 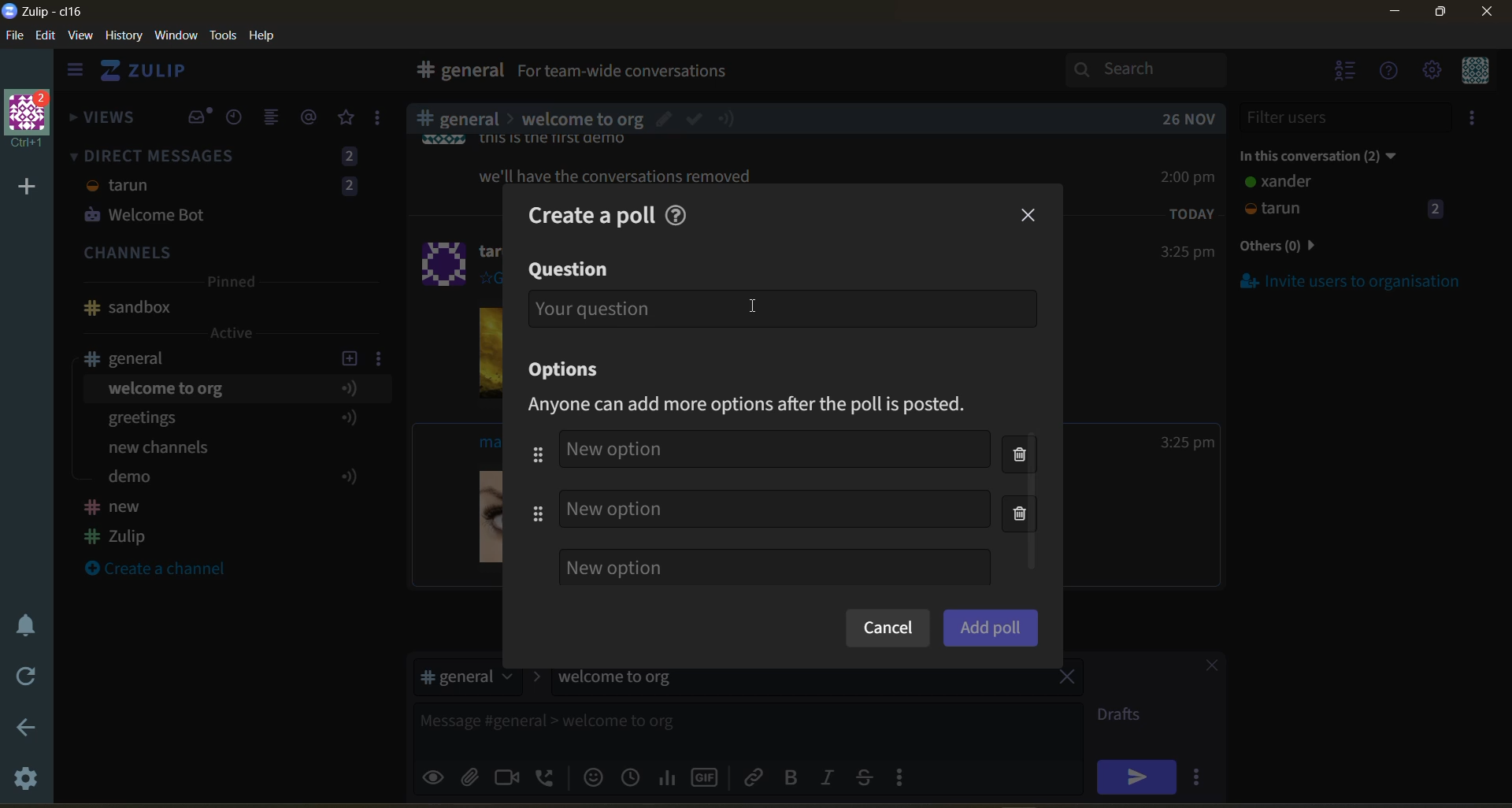 I want to click on delete, so click(x=1025, y=487).